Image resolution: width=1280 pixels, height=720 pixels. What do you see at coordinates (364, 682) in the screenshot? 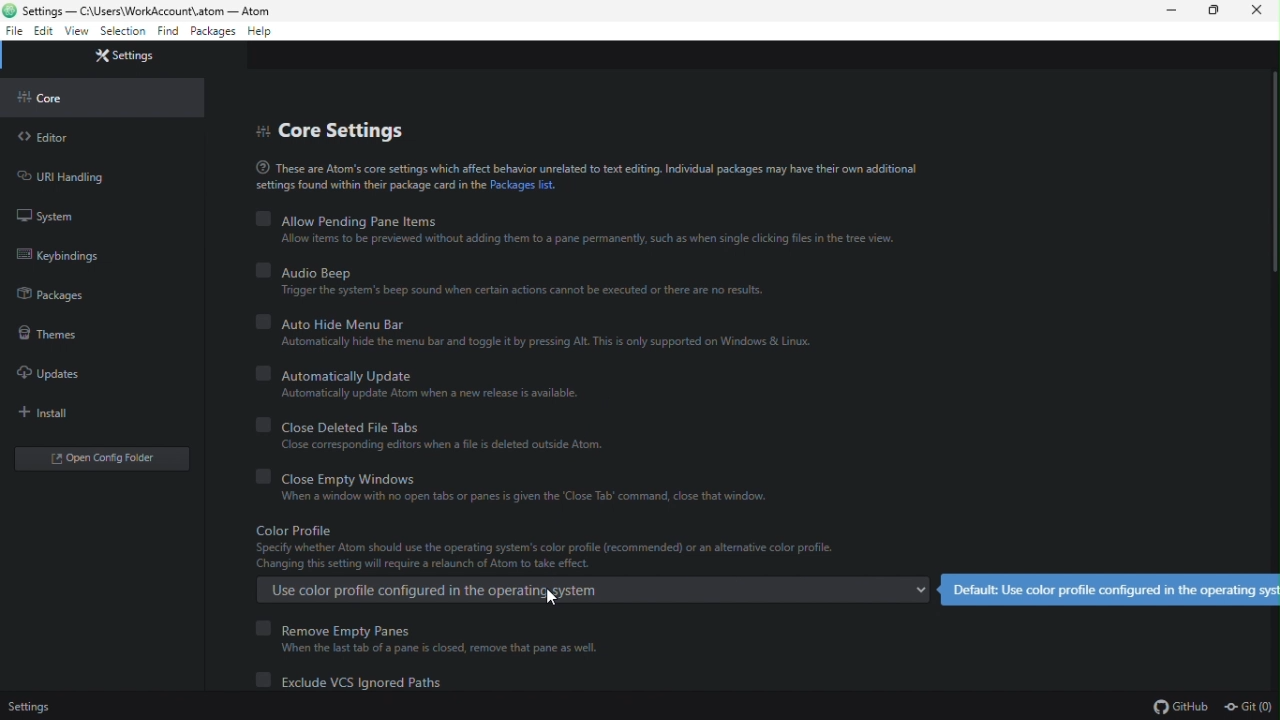
I see `exclude VCS ignored file paths` at bounding box center [364, 682].